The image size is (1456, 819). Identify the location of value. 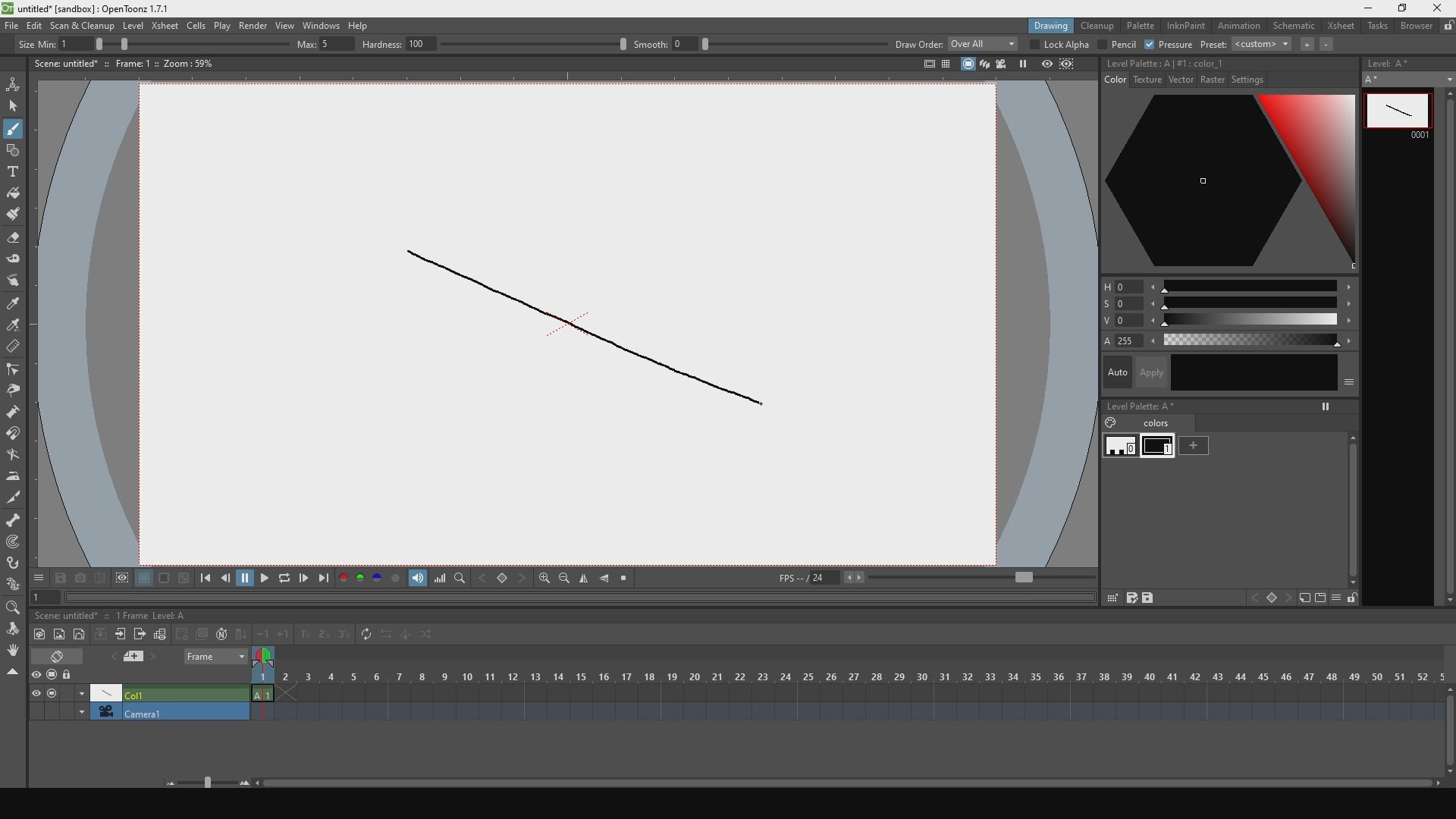
(1234, 321).